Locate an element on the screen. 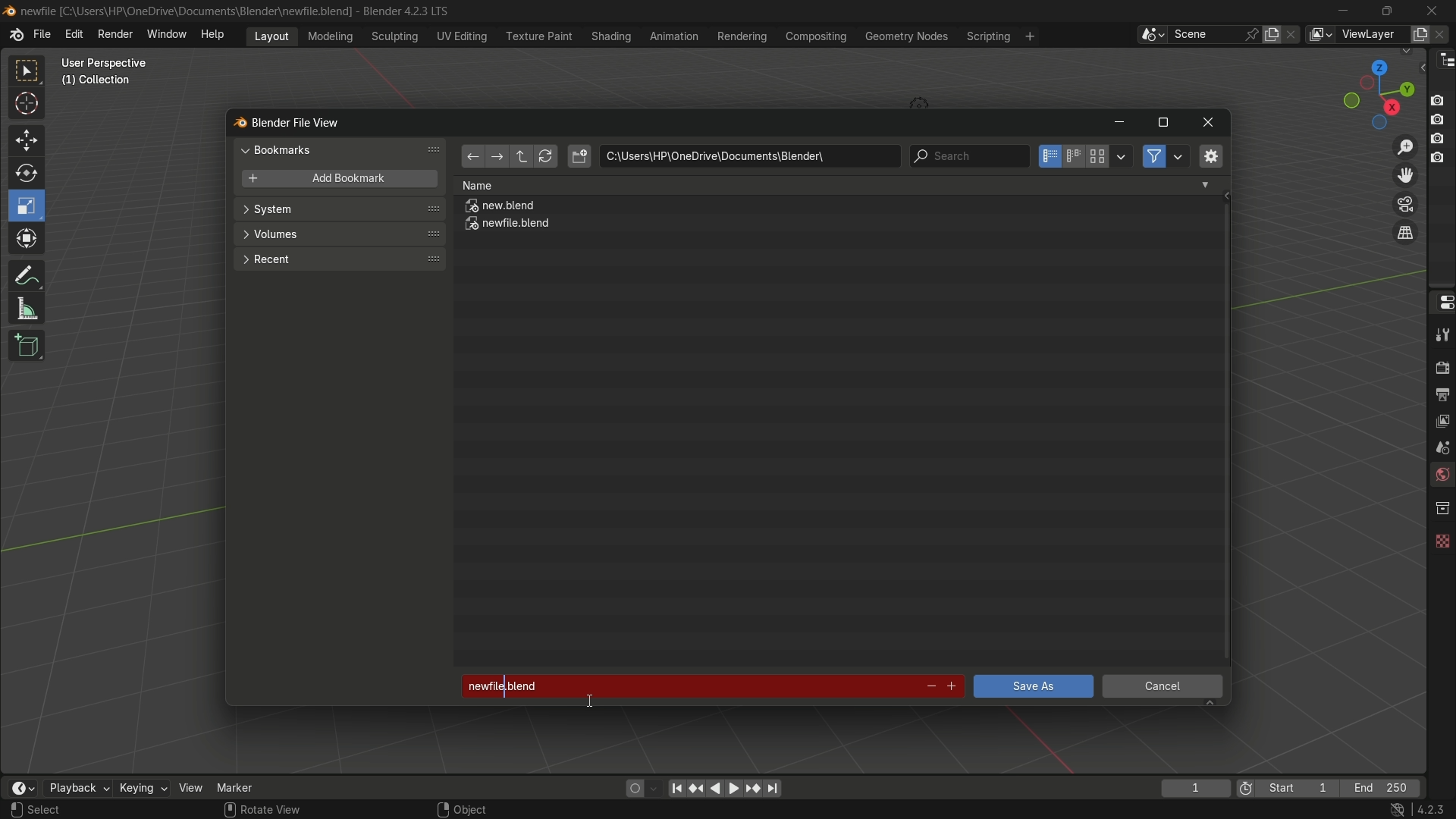 The image size is (1456, 819). User prepective is located at coordinates (111, 63).